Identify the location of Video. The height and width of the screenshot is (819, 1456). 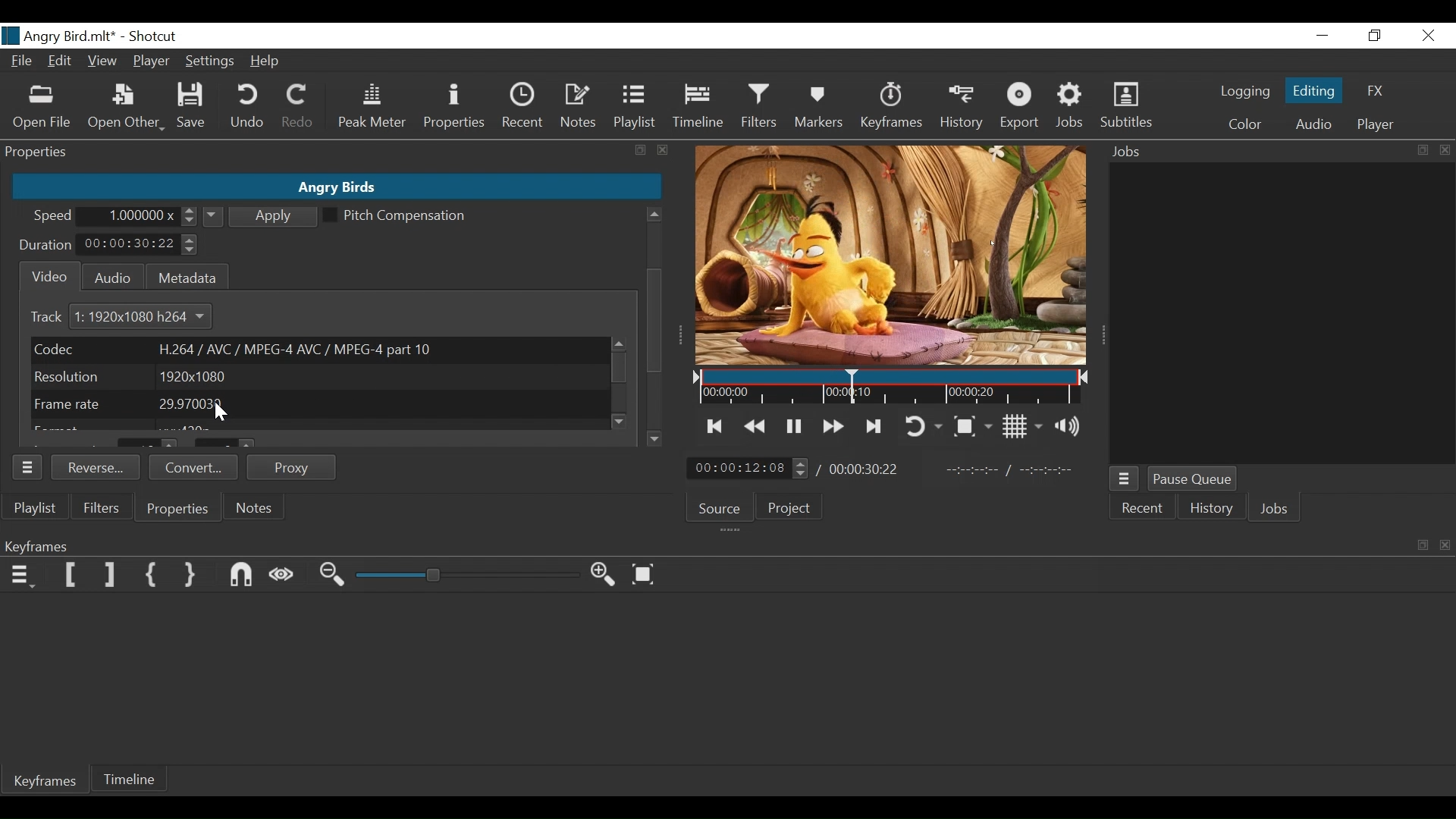
(46, 277).